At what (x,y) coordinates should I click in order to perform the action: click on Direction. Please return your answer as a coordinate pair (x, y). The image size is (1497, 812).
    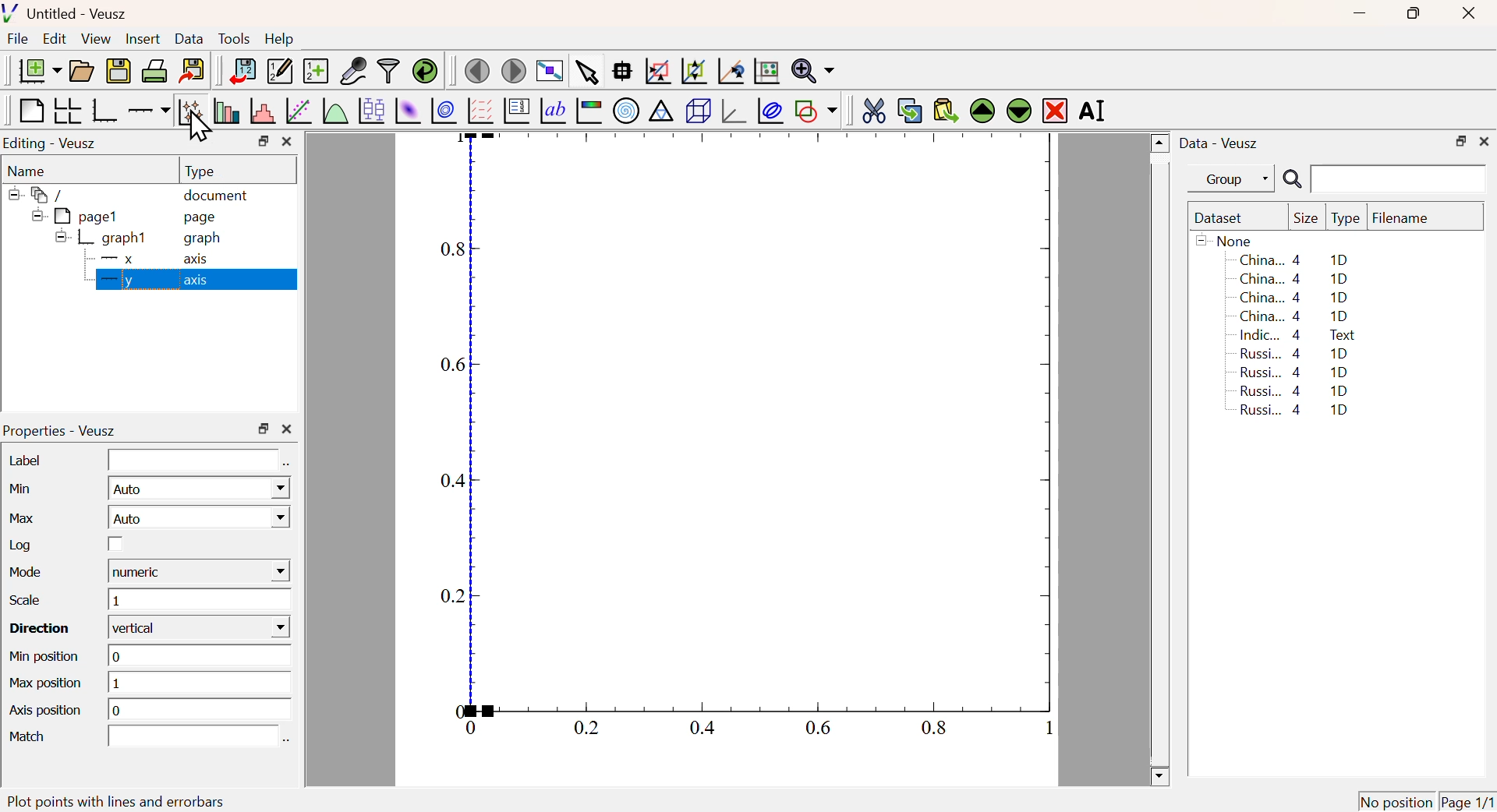
    Looking at the image, I should click on (42, 629).